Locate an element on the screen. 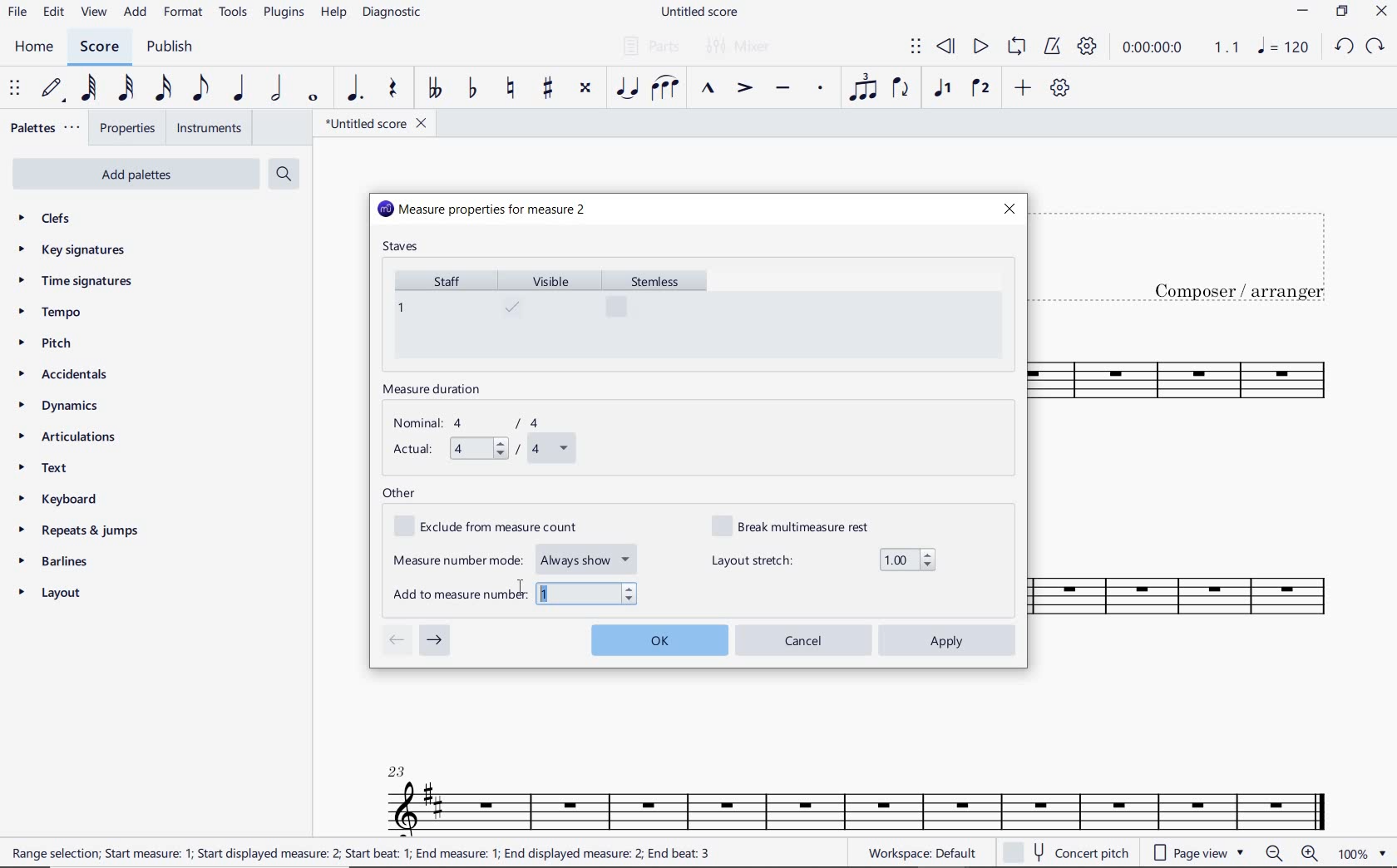 This screenshot has height=868, width=1397. ADD is located at coordinates (1020, 89).